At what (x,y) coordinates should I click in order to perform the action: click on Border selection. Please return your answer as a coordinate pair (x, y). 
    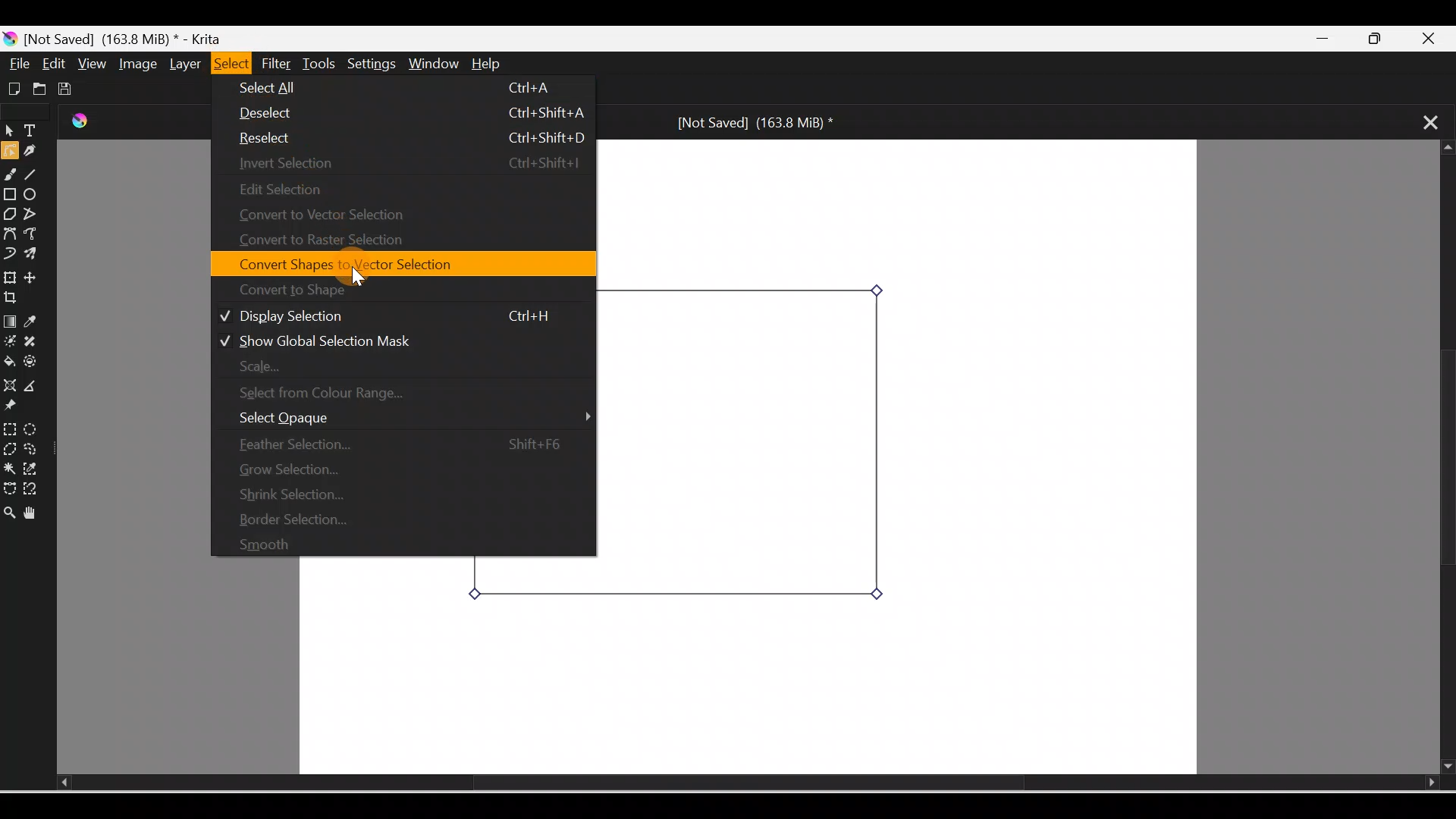
    Looking at the image, I should click on (402, 517).